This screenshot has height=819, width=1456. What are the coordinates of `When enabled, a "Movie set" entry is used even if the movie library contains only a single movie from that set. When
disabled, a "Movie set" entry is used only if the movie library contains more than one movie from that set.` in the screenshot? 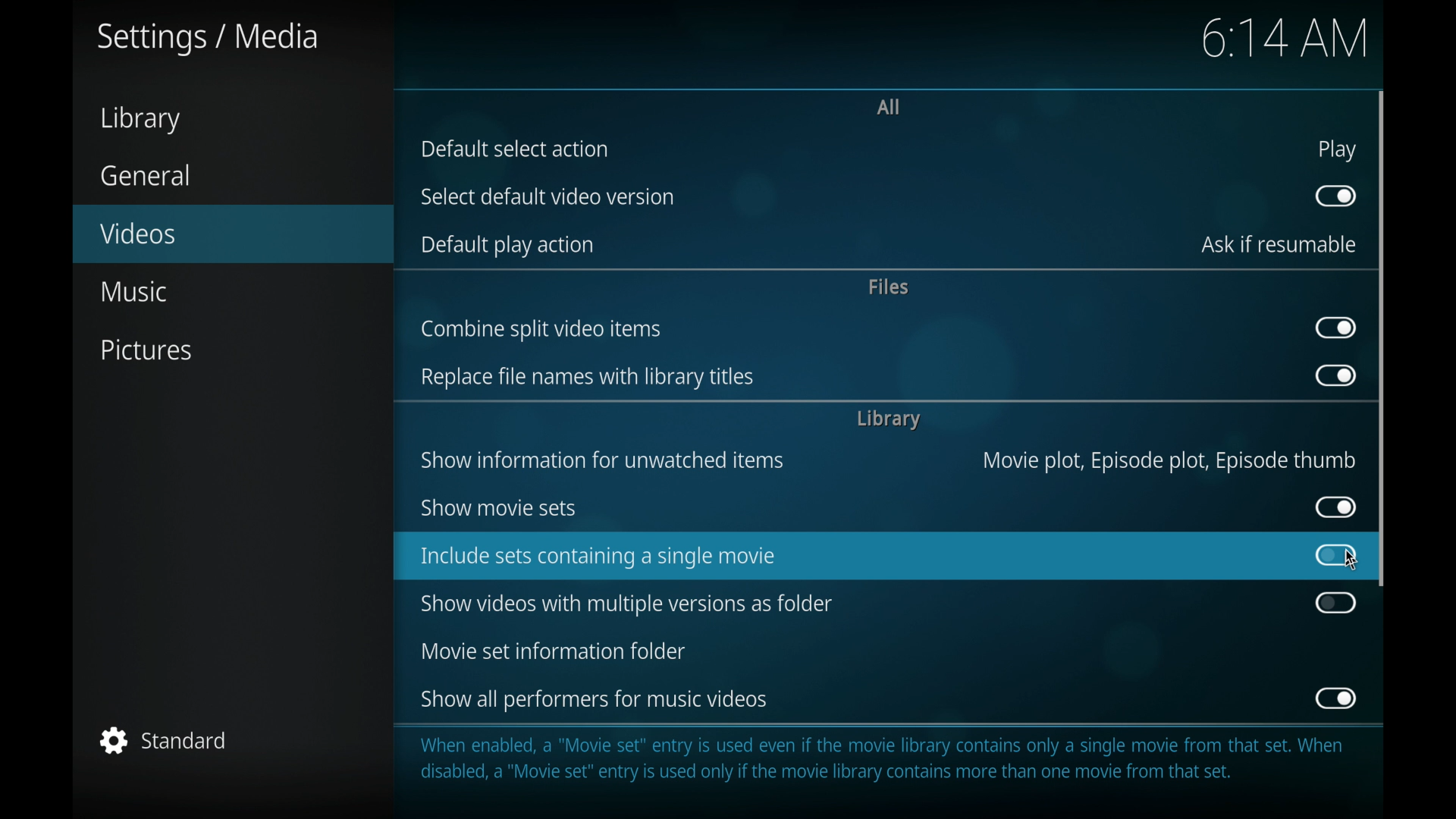 It's located at (892, 760).